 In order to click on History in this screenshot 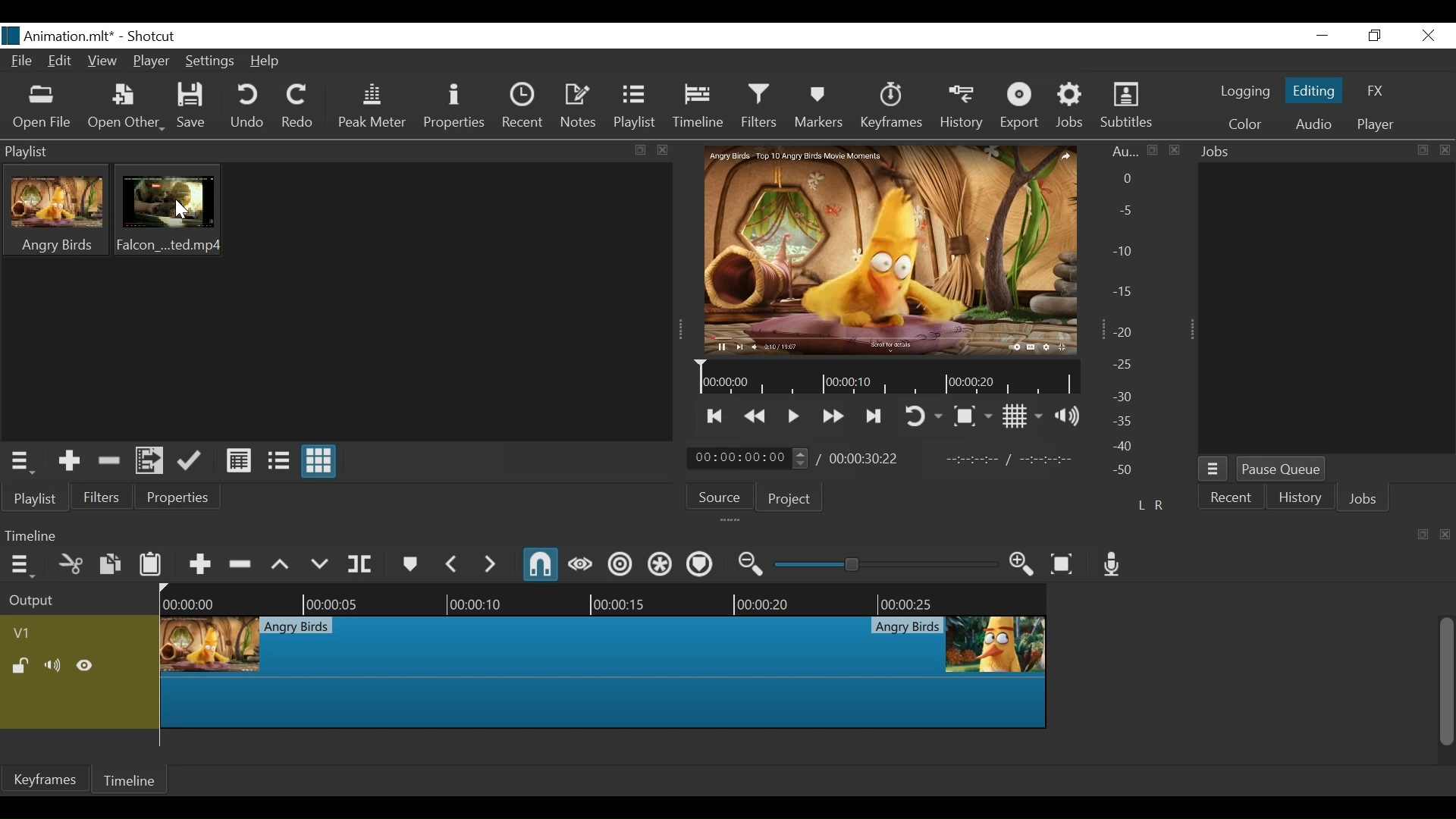, I will do `click(962, 108)`.